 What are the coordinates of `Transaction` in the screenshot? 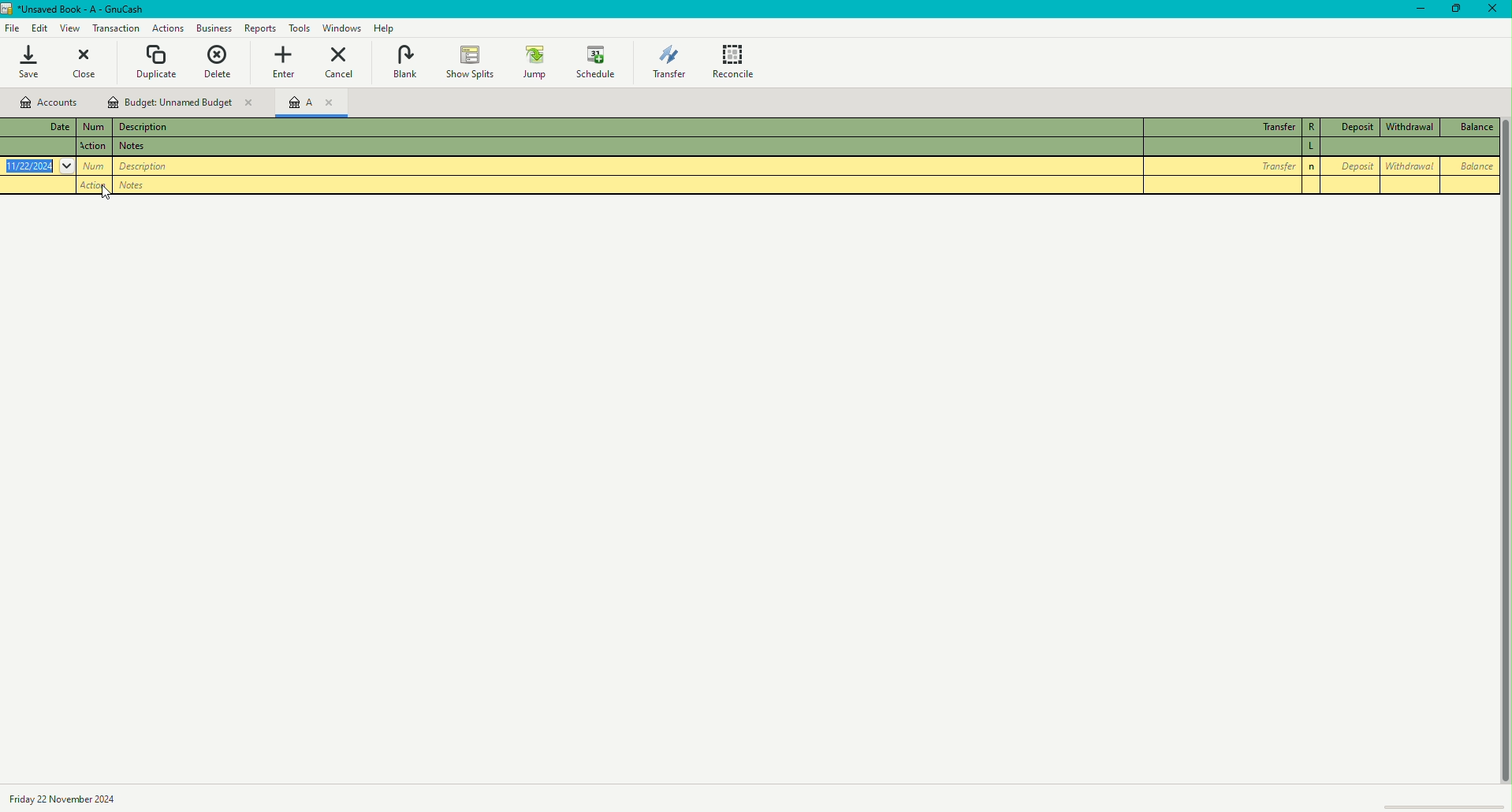 It's located at (115, 29).